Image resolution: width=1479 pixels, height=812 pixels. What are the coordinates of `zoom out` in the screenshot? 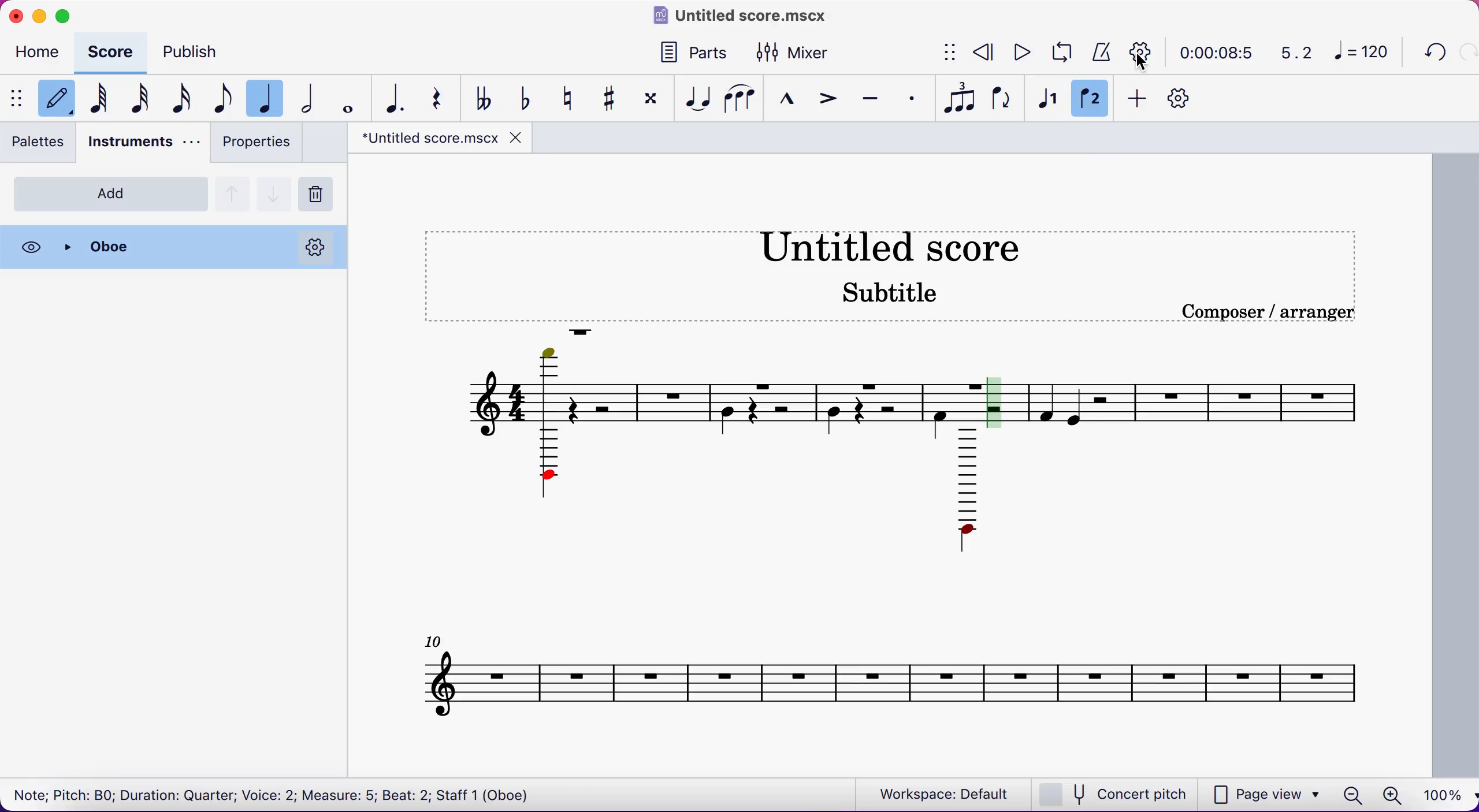 It's located at (1352, 793).